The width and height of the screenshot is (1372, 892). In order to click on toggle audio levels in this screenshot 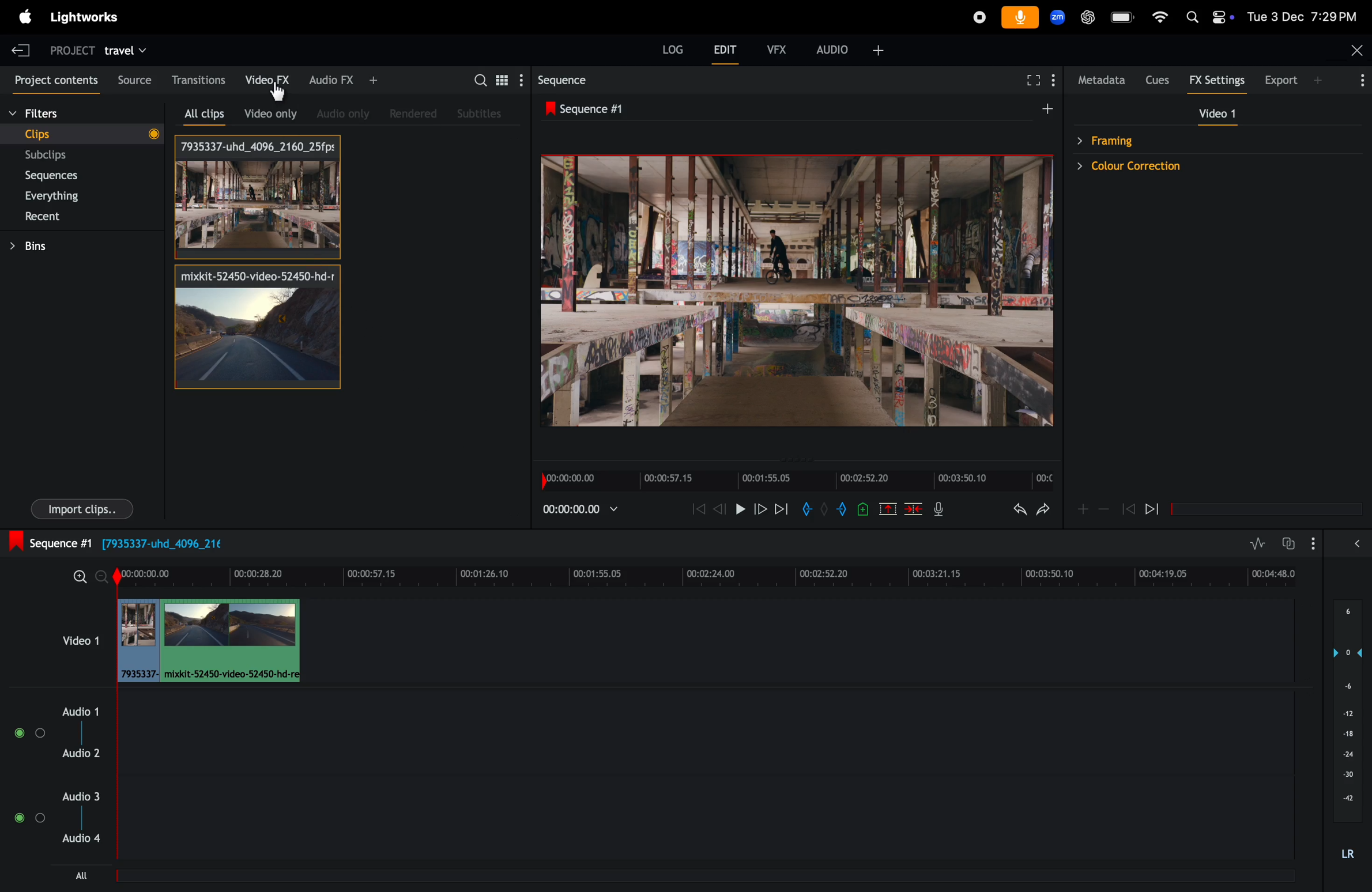, I will do `click(1258, 541)`.